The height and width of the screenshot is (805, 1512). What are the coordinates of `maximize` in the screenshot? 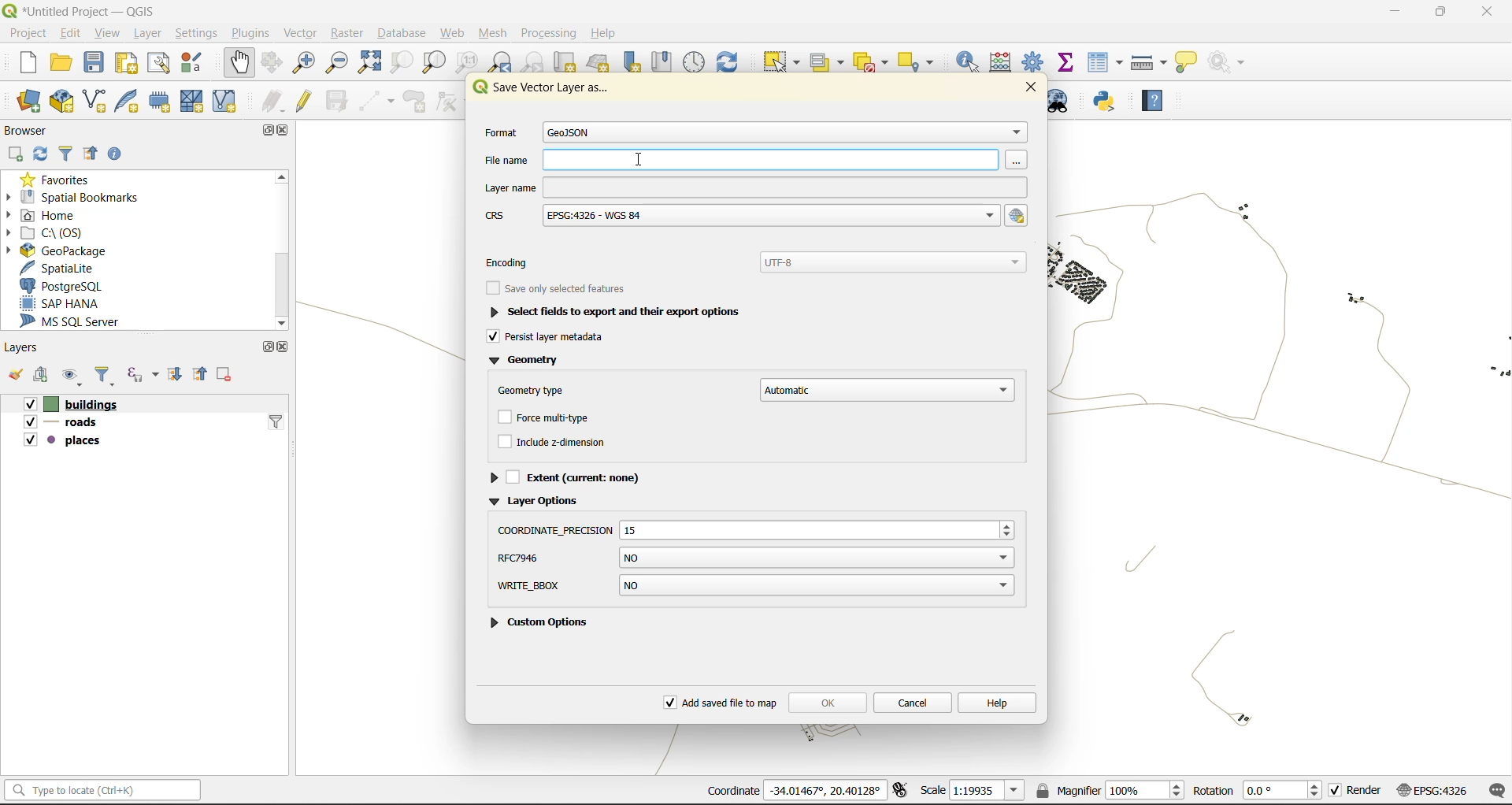 It's located at (273, 129).